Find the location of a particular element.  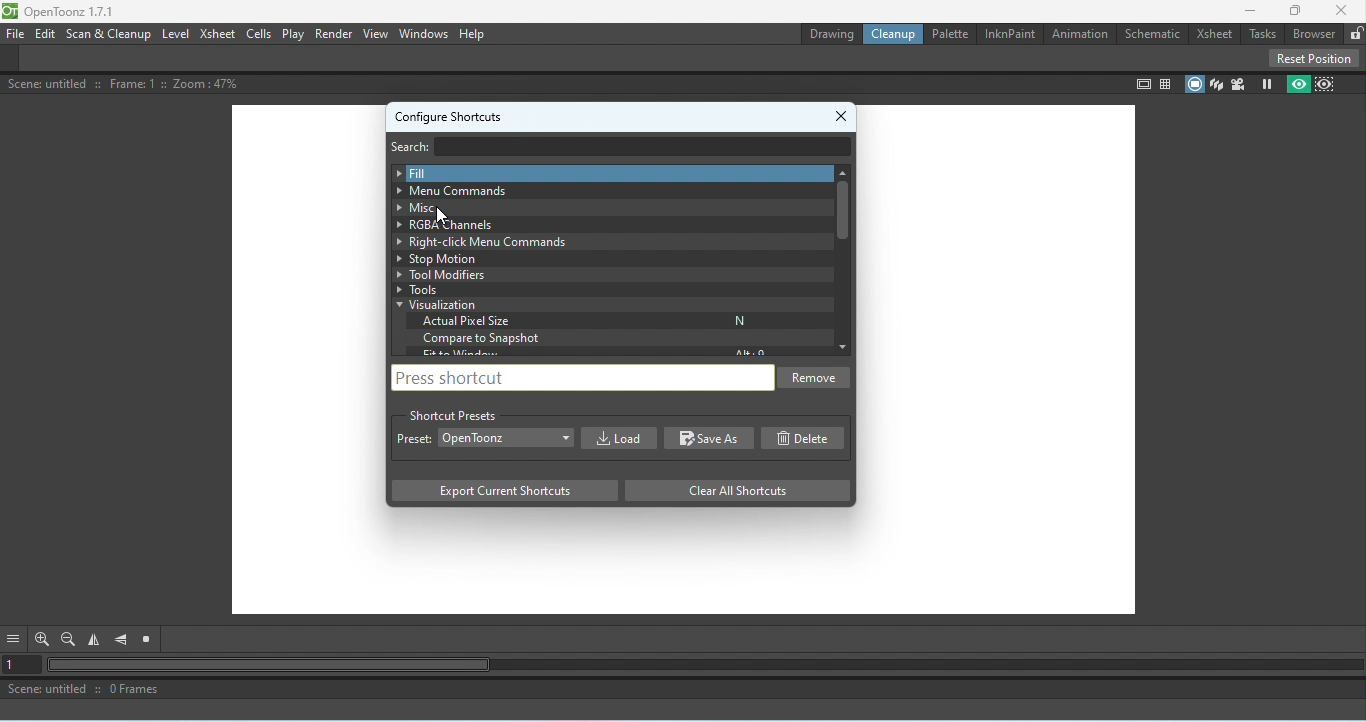

Cells is located at coordinates (261, 32).